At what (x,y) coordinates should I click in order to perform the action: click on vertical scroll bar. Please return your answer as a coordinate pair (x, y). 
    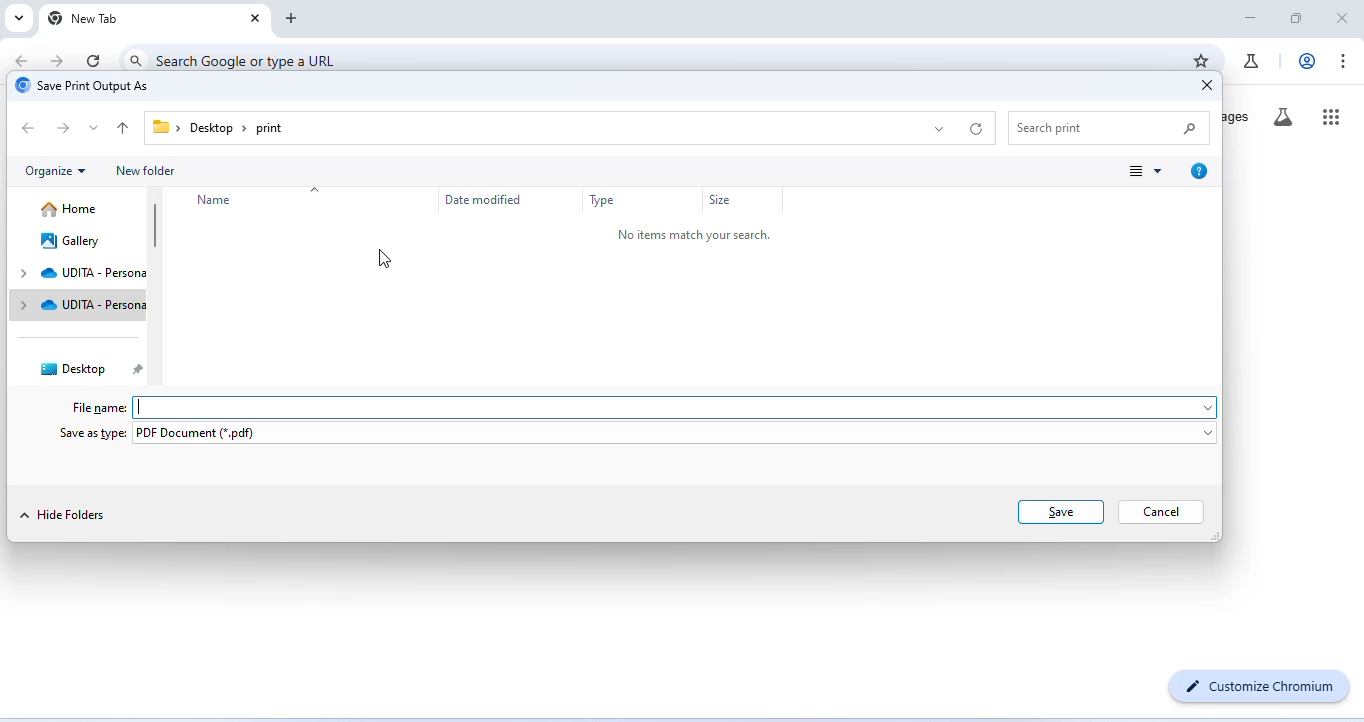
    Looking at the image, I should click on (155, 226).